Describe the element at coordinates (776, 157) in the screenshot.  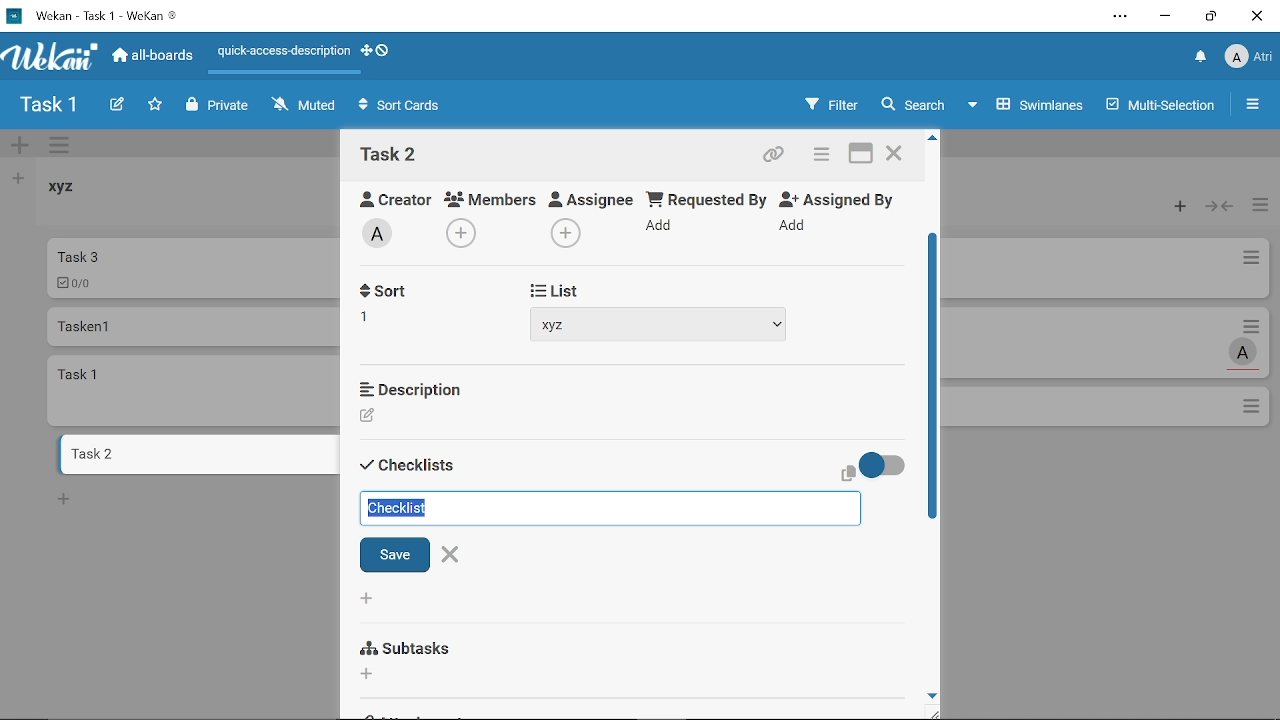
I see `Copy card link to clipboard` at that location.